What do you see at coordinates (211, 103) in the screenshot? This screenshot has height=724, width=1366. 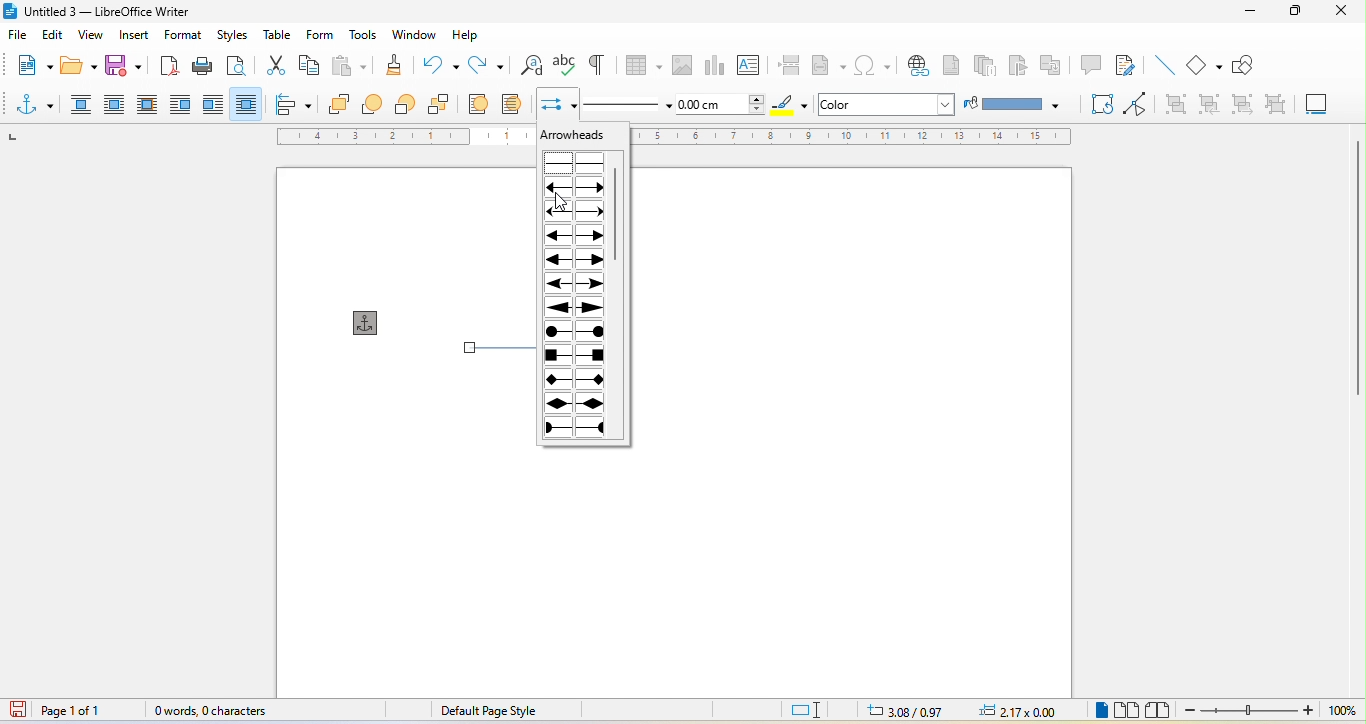 I see `after` at bounding box center [211, 103].